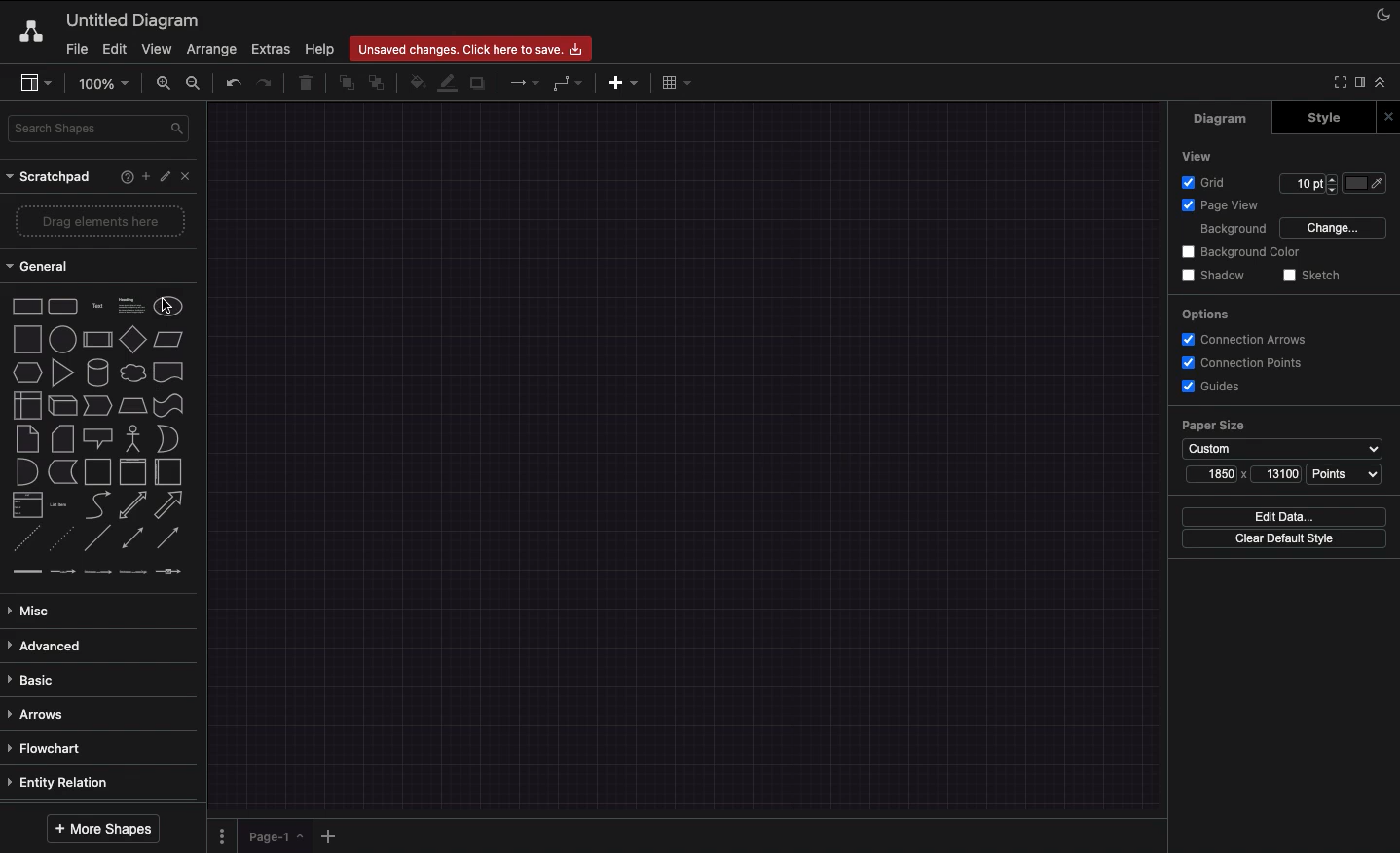 Image resolution: width=1400 pixels, height=853 pixels. What do you see at coordinates (331, 837) in the screenshot?
I see `Add new pages` at bounding box center [331, 837].